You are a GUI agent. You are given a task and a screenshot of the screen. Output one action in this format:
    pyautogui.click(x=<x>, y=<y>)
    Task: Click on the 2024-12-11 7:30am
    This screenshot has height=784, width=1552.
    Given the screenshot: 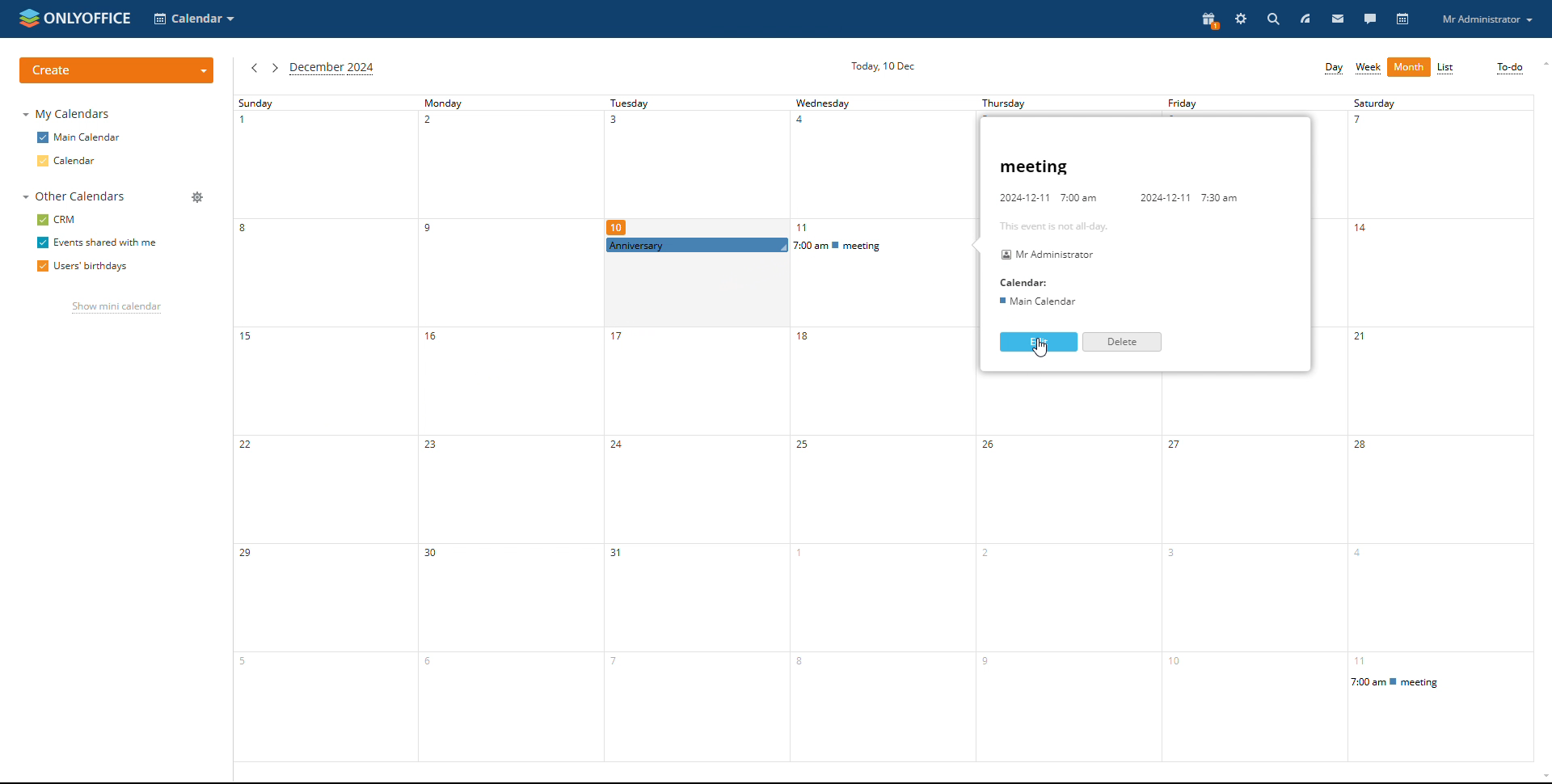 What is the action you would take?
    pyautogui.click(x=1184, y=194)
    